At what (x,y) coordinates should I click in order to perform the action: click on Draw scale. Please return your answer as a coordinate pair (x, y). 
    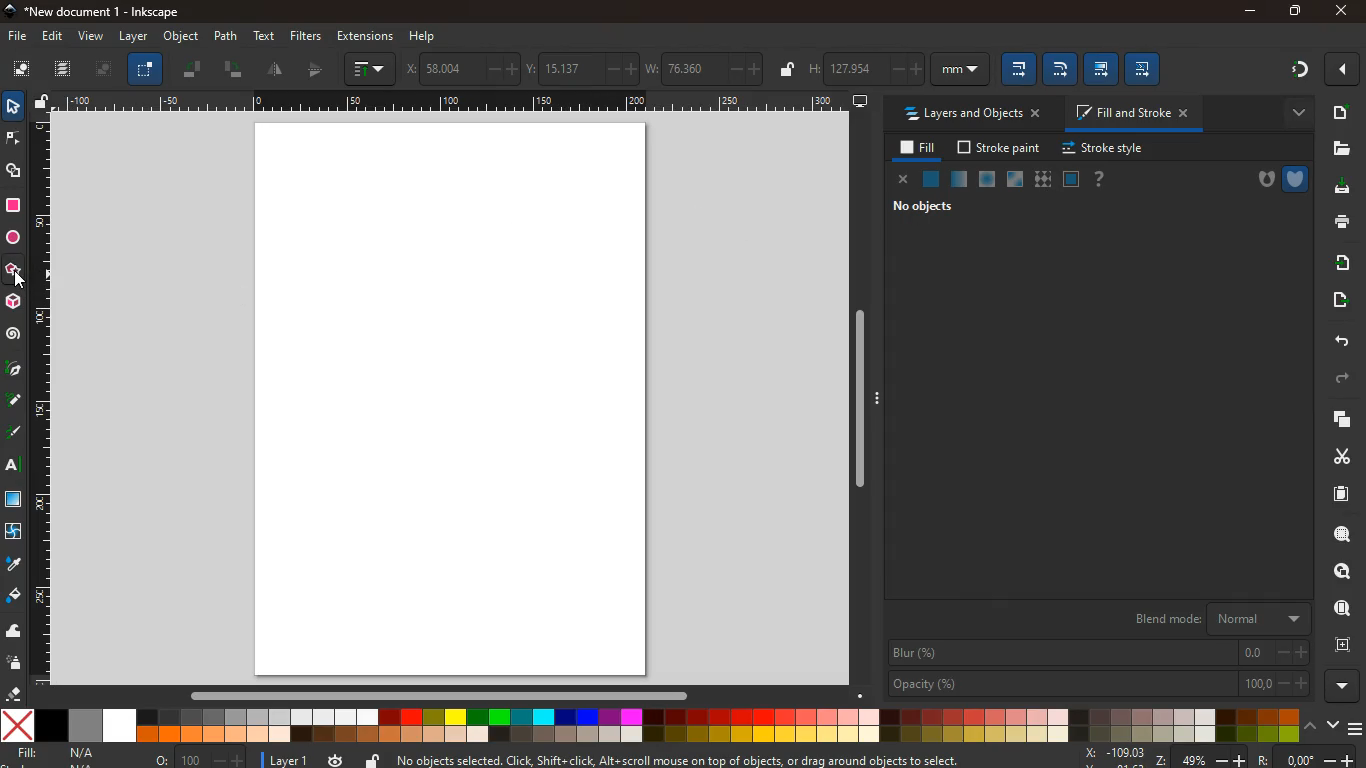
    Looking at the image, I should click on (455, 103).